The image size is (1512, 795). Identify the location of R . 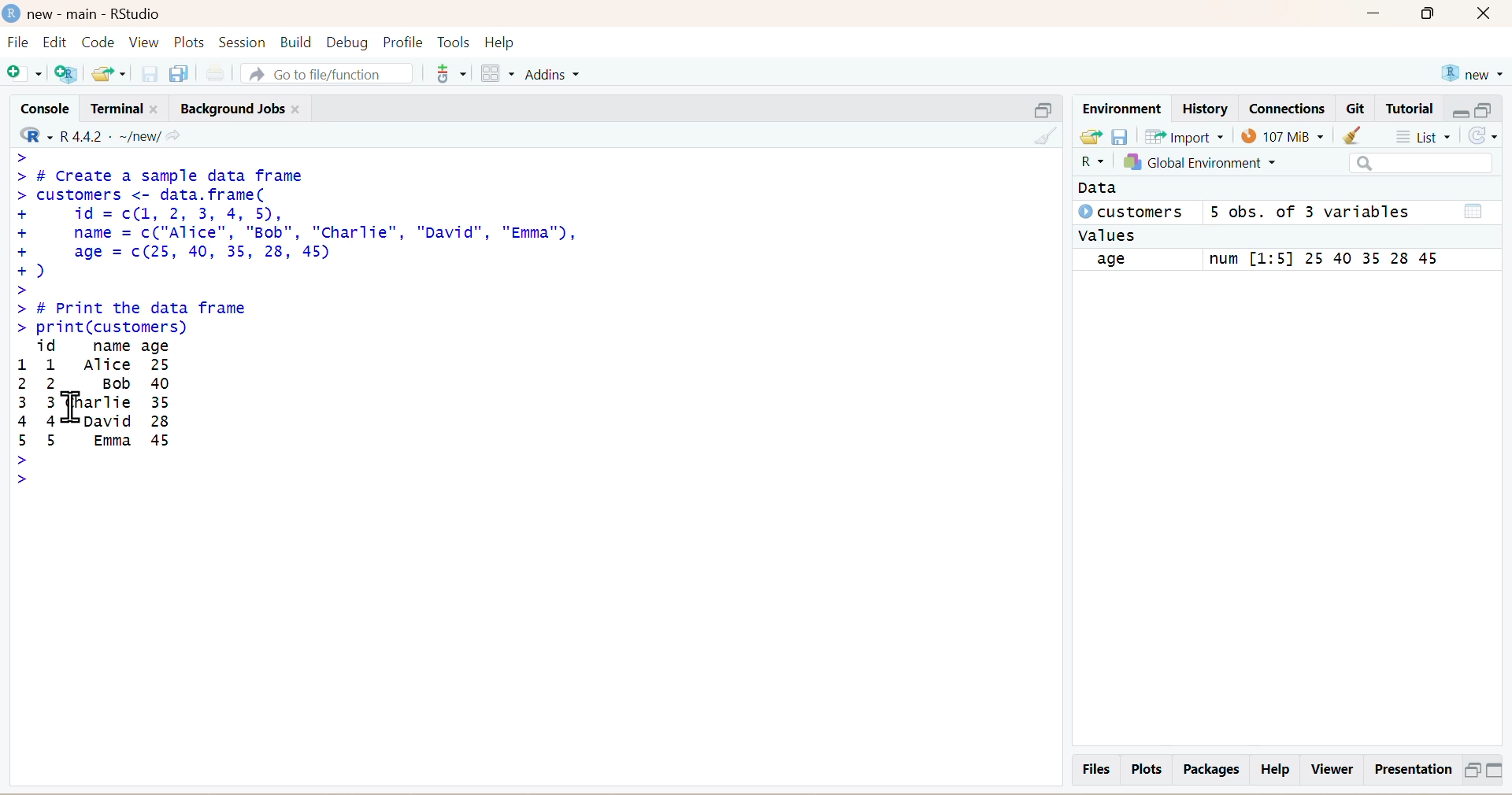
(1086, 164).